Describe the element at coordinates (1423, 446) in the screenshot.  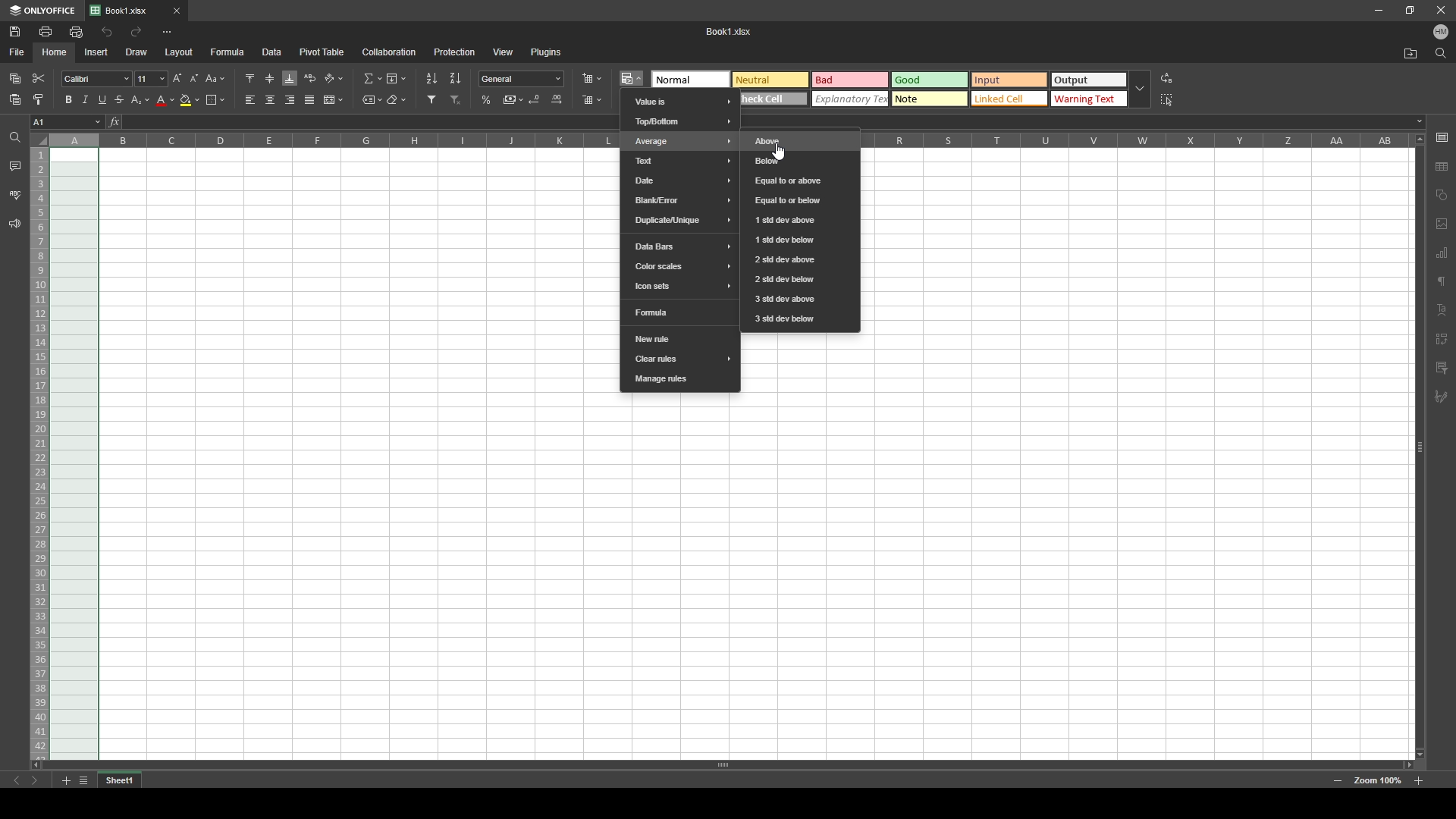
I see `scroll bar` at that location.